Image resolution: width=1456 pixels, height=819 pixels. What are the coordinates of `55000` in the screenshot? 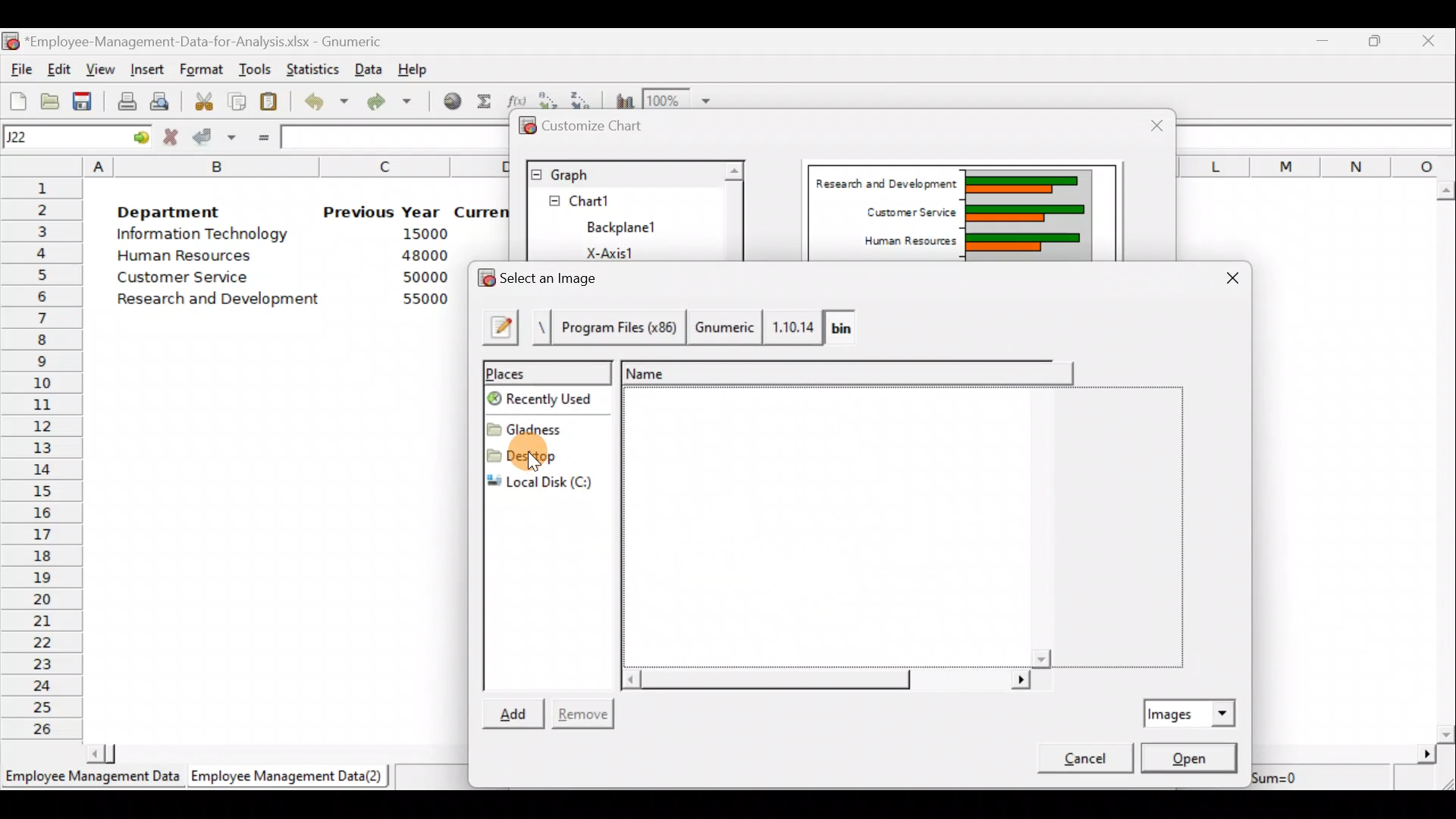 It's located at (423, 300).